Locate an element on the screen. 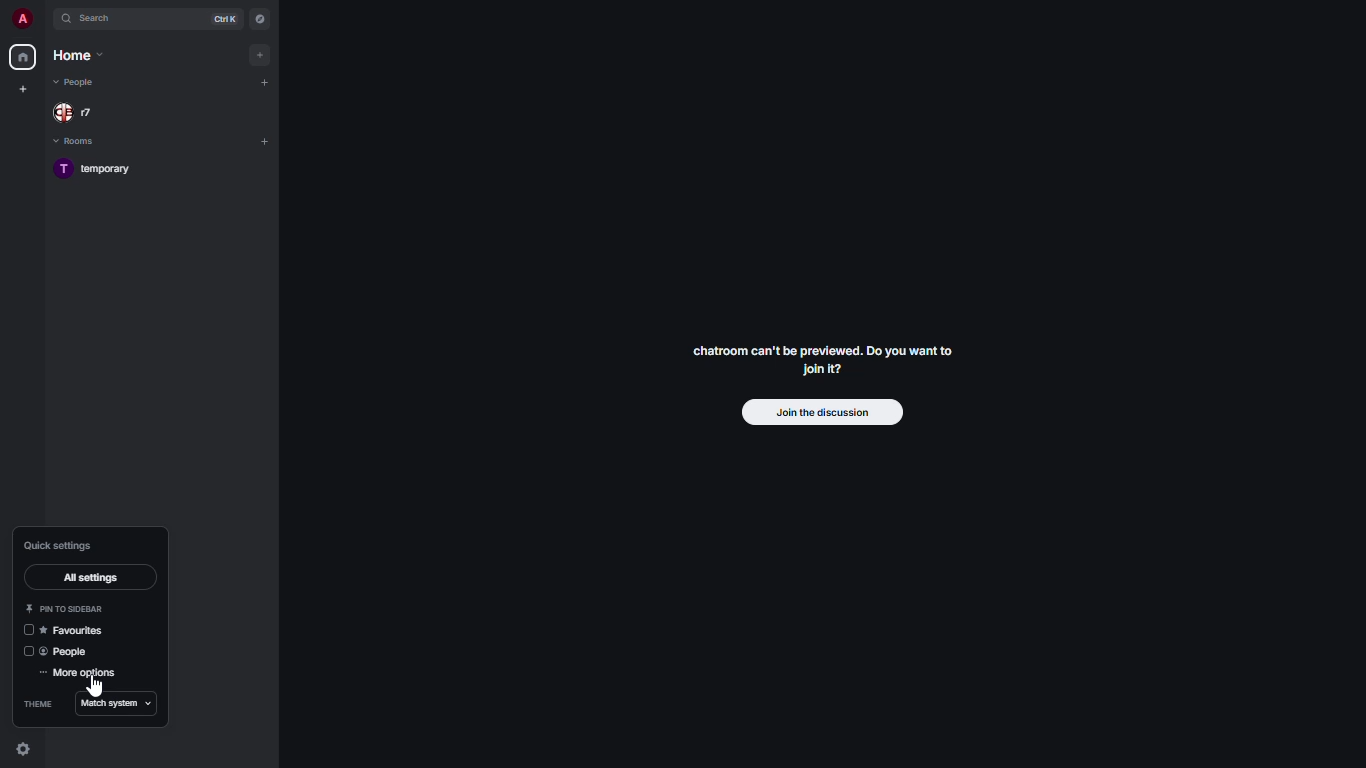 The width and height of the screenshot is (1366, 768). more settings is located at coordinates (81, 675).